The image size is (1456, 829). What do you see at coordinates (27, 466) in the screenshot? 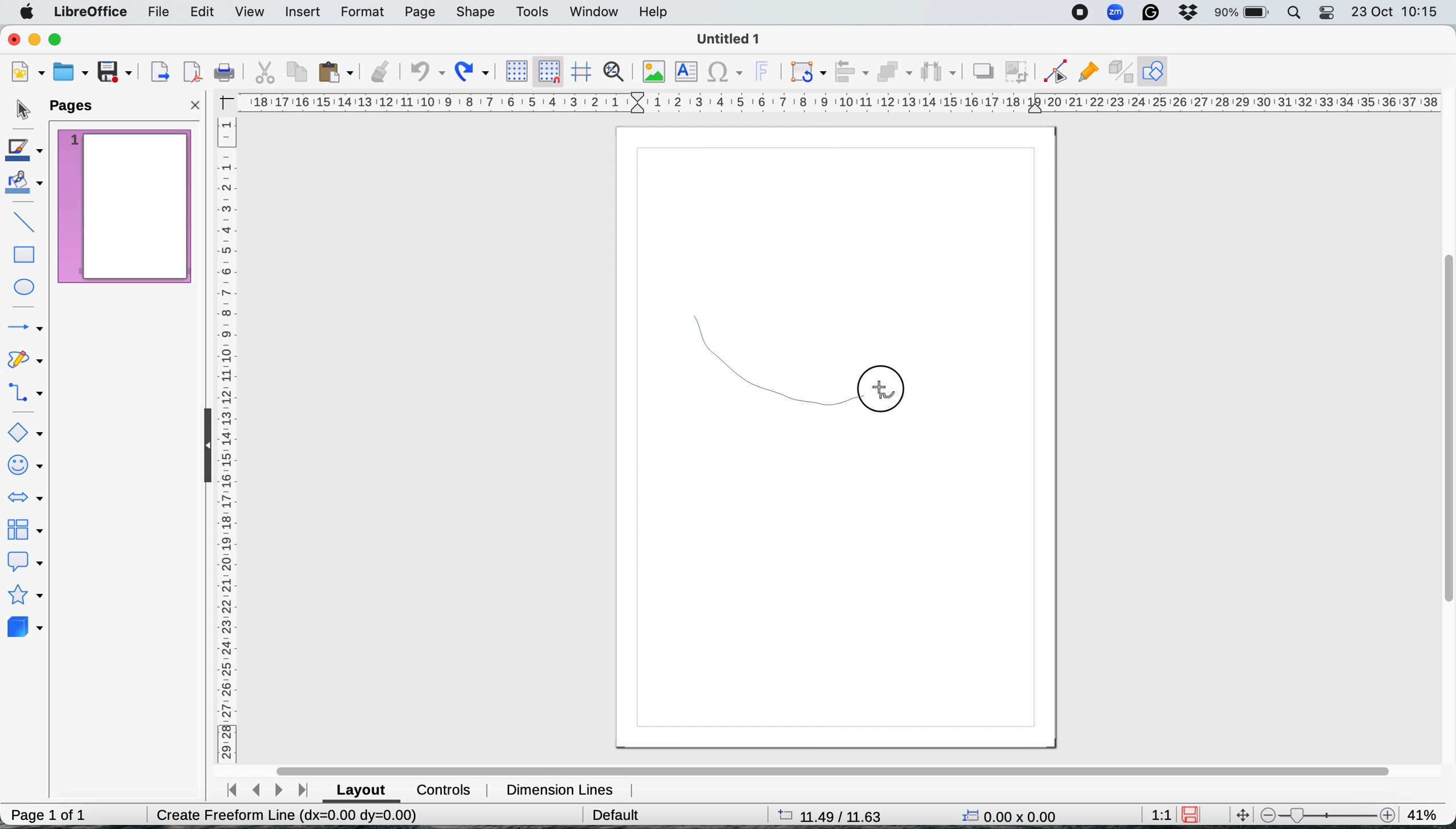
I see `symbol shapes` at bounding box center [27, 466].